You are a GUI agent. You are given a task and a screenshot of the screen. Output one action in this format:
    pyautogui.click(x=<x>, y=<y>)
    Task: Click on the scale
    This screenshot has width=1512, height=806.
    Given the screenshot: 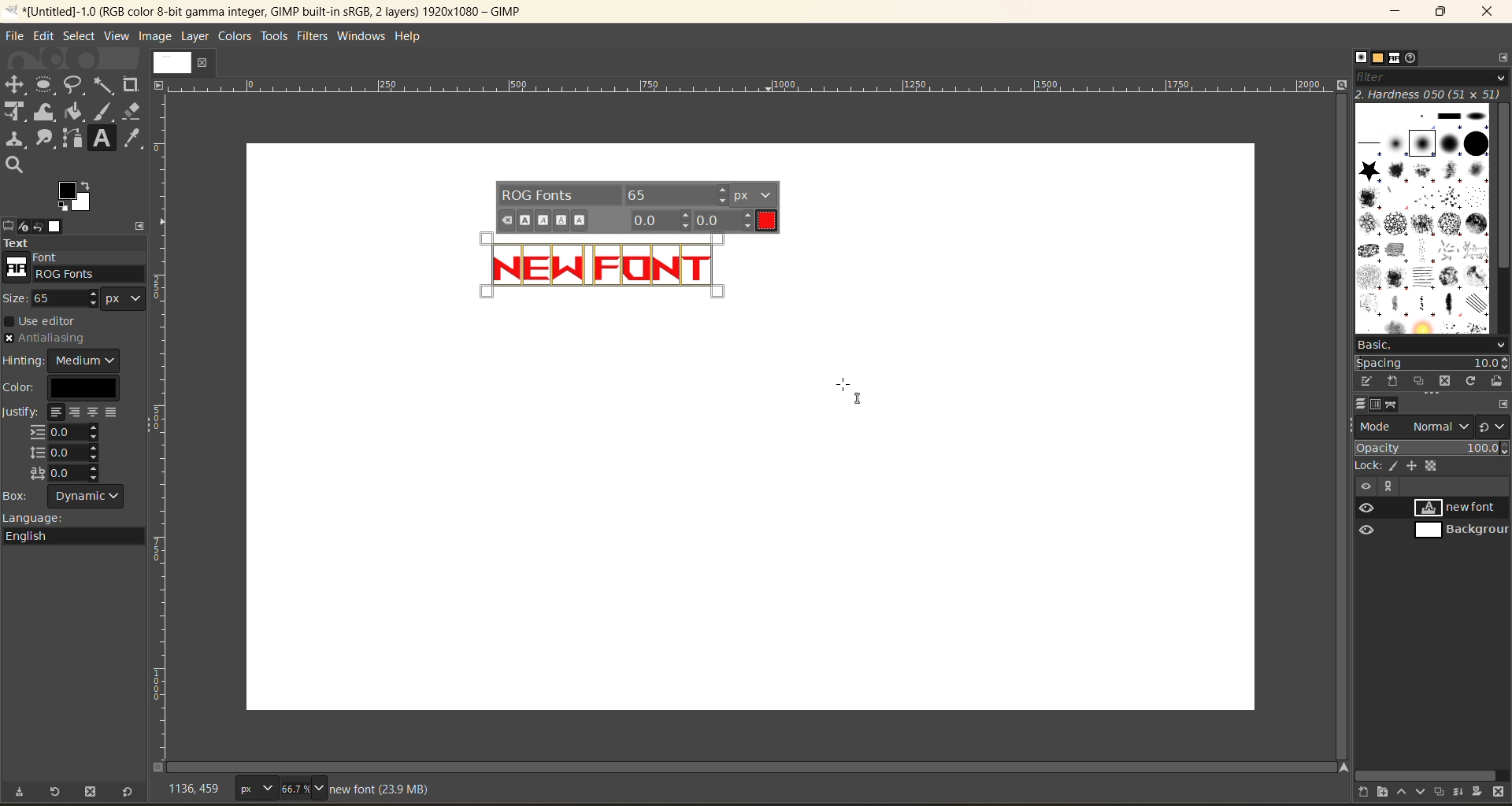 What is the action you would take?
    pyautogui.click(x=163, y=380)
    